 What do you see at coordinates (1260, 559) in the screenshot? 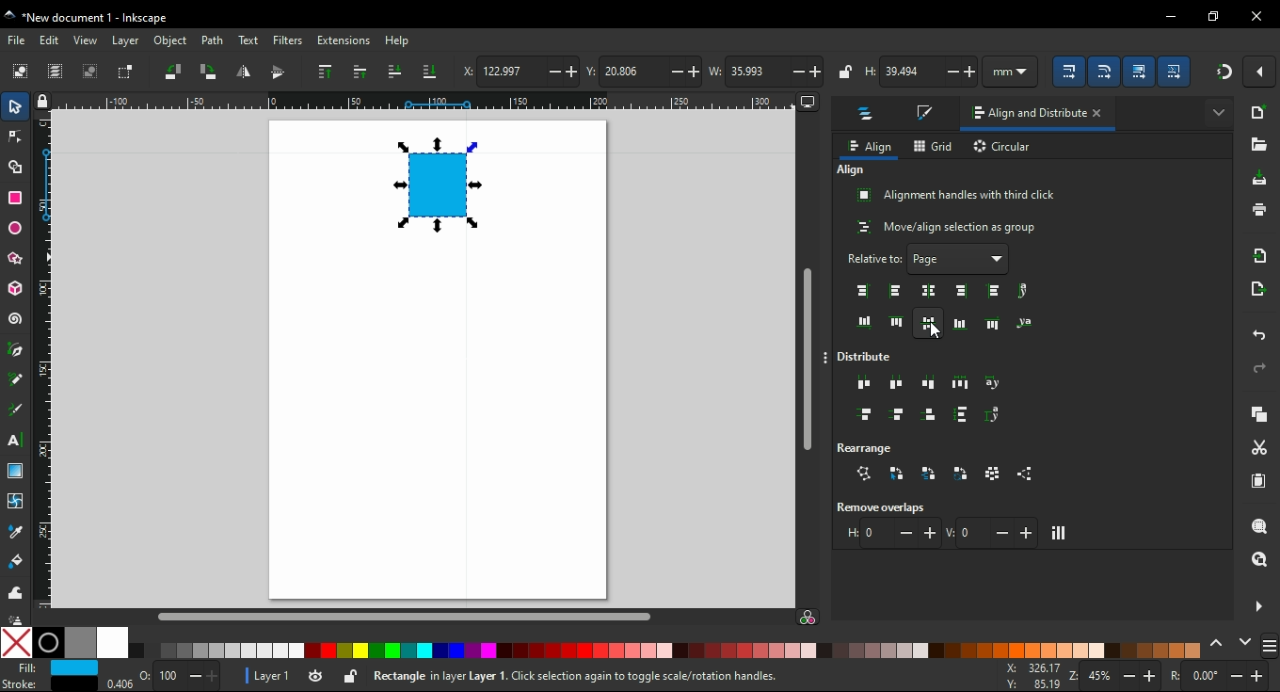
I see `zoom drawing` at bounding box center [1260, 559].